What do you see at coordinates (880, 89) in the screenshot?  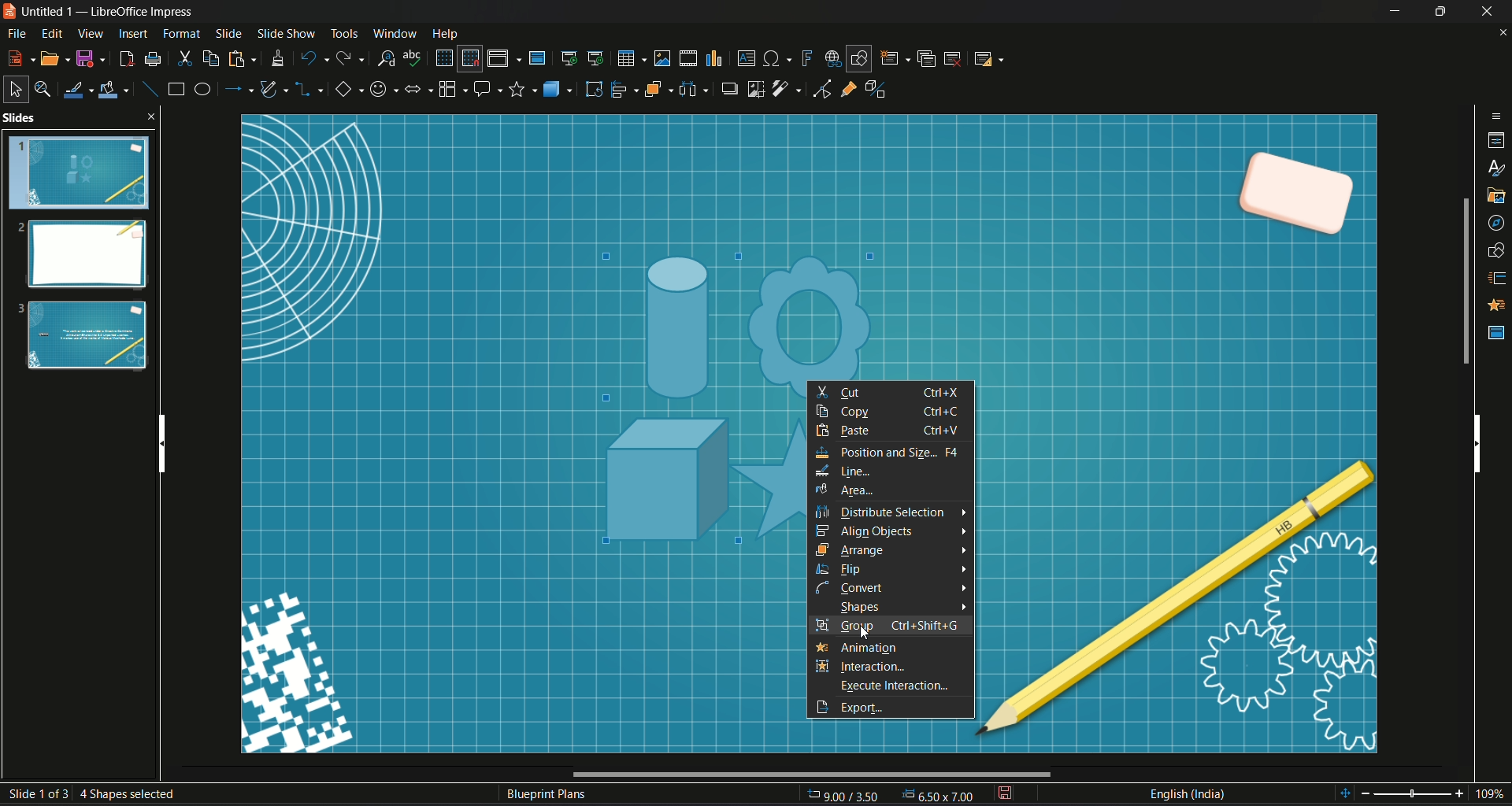 I see `toggle extrusion` at bounding box center [880, 89].